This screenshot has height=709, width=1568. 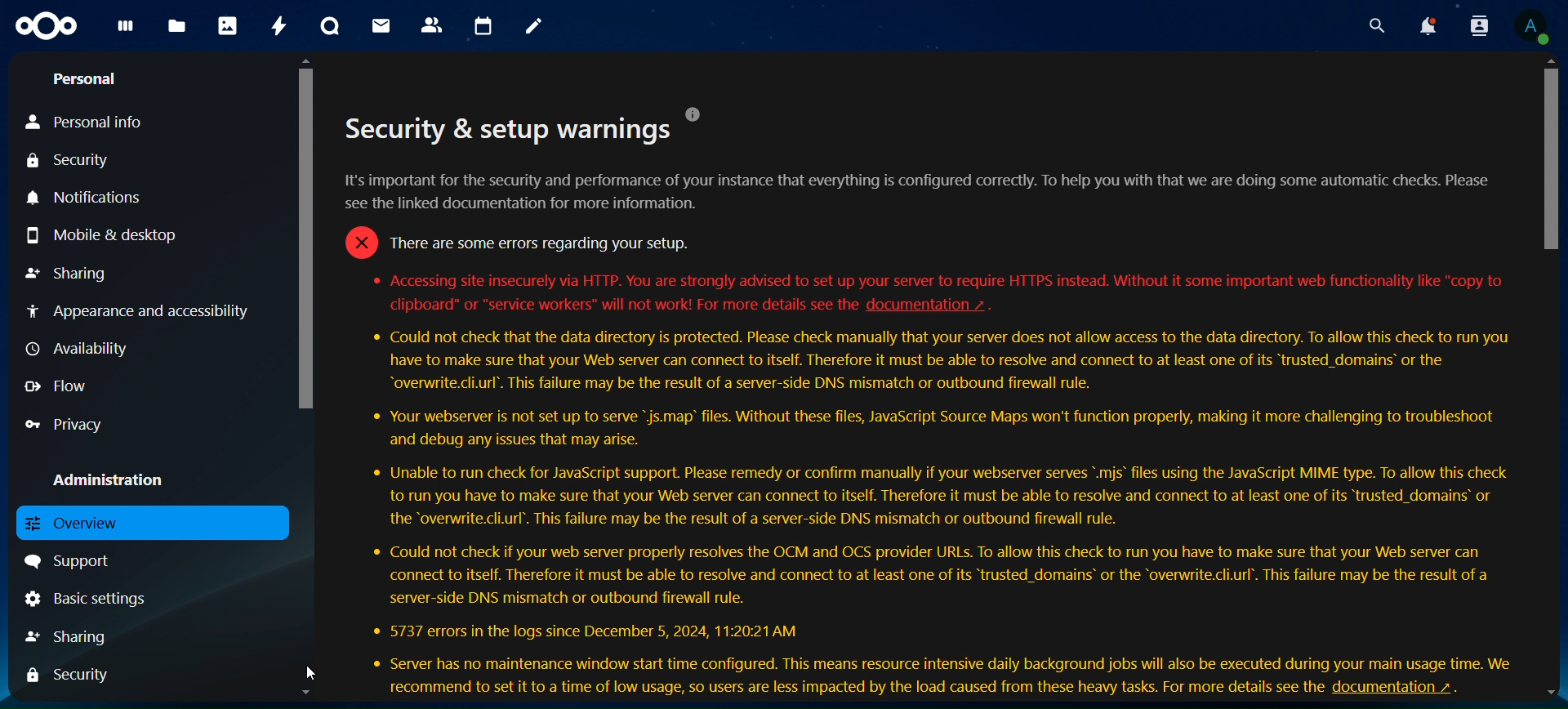 I want to click on security, so click(x=69, y=161).